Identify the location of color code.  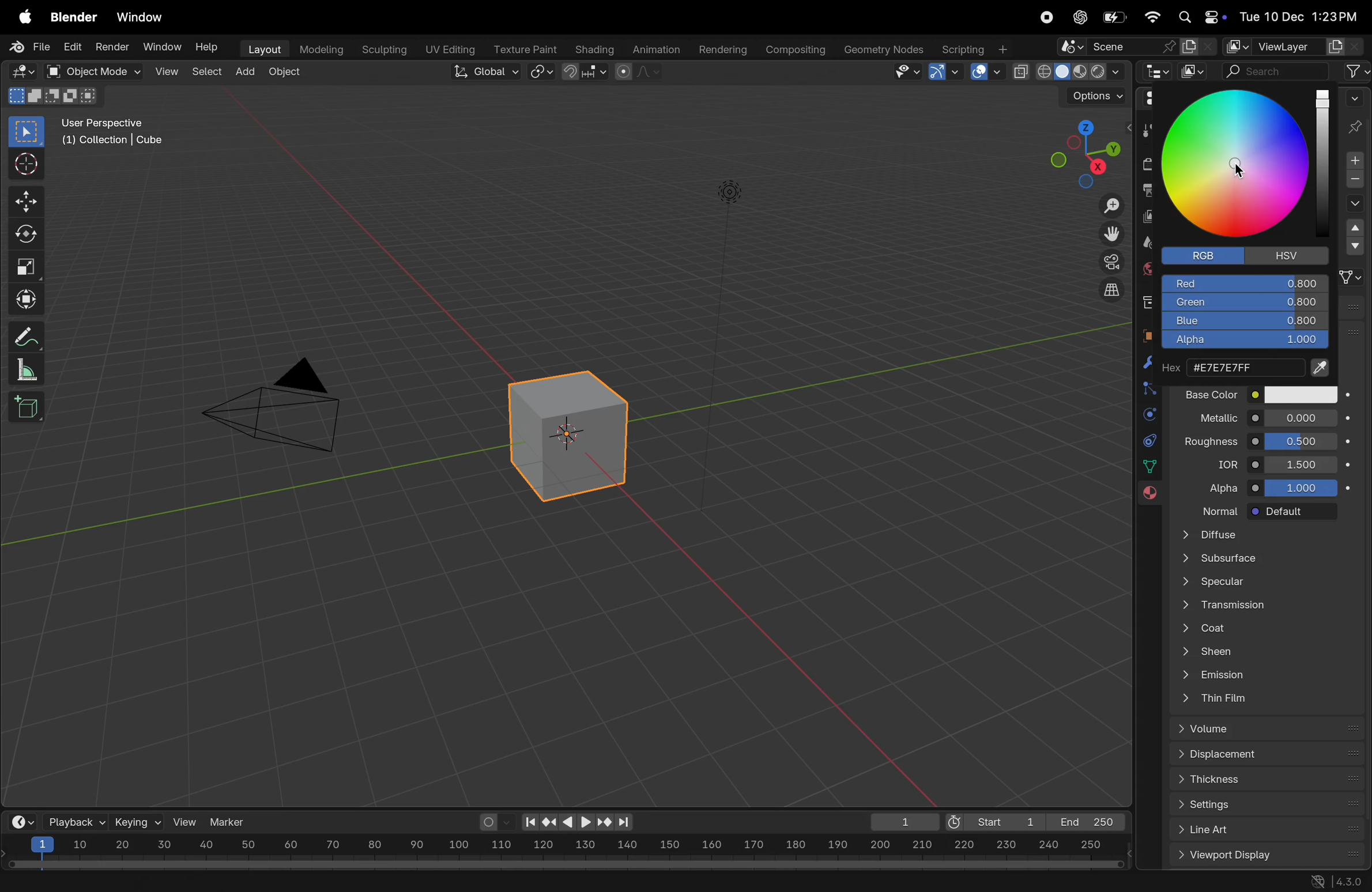
(1249, 366).